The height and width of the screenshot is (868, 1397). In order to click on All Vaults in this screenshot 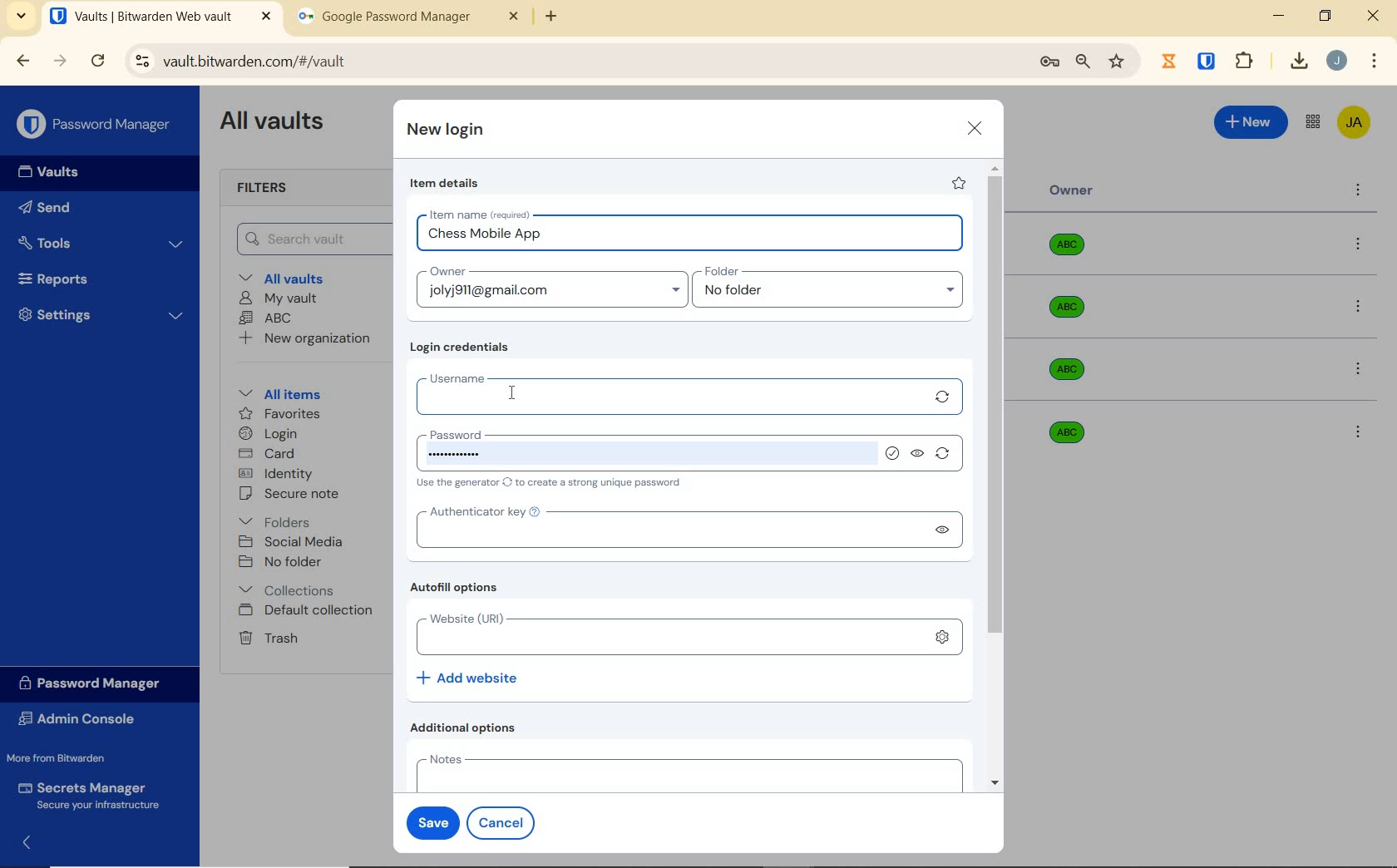, I will do `click(276, 123)`.